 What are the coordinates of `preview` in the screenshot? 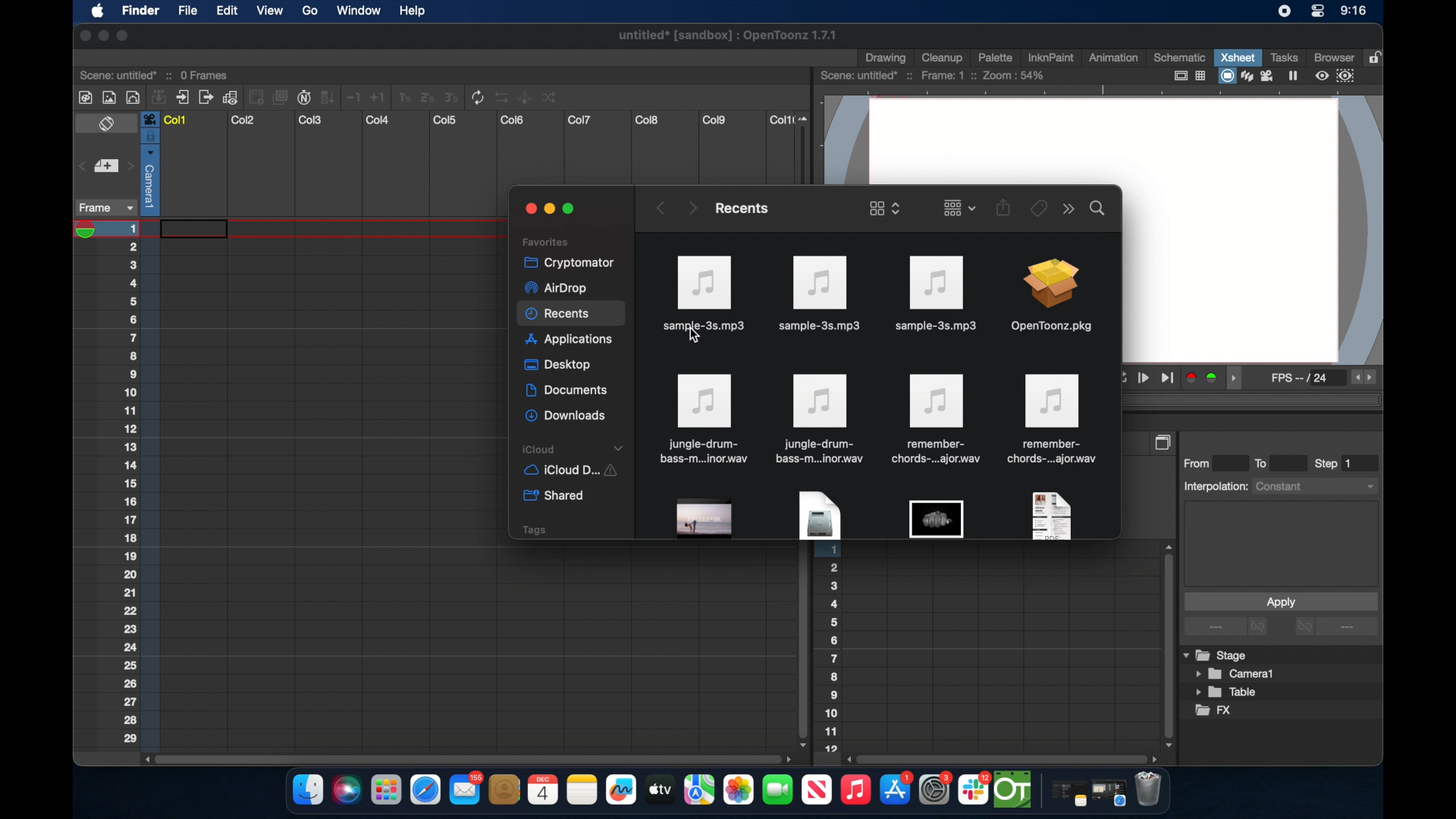 It's located at (1337, 76).